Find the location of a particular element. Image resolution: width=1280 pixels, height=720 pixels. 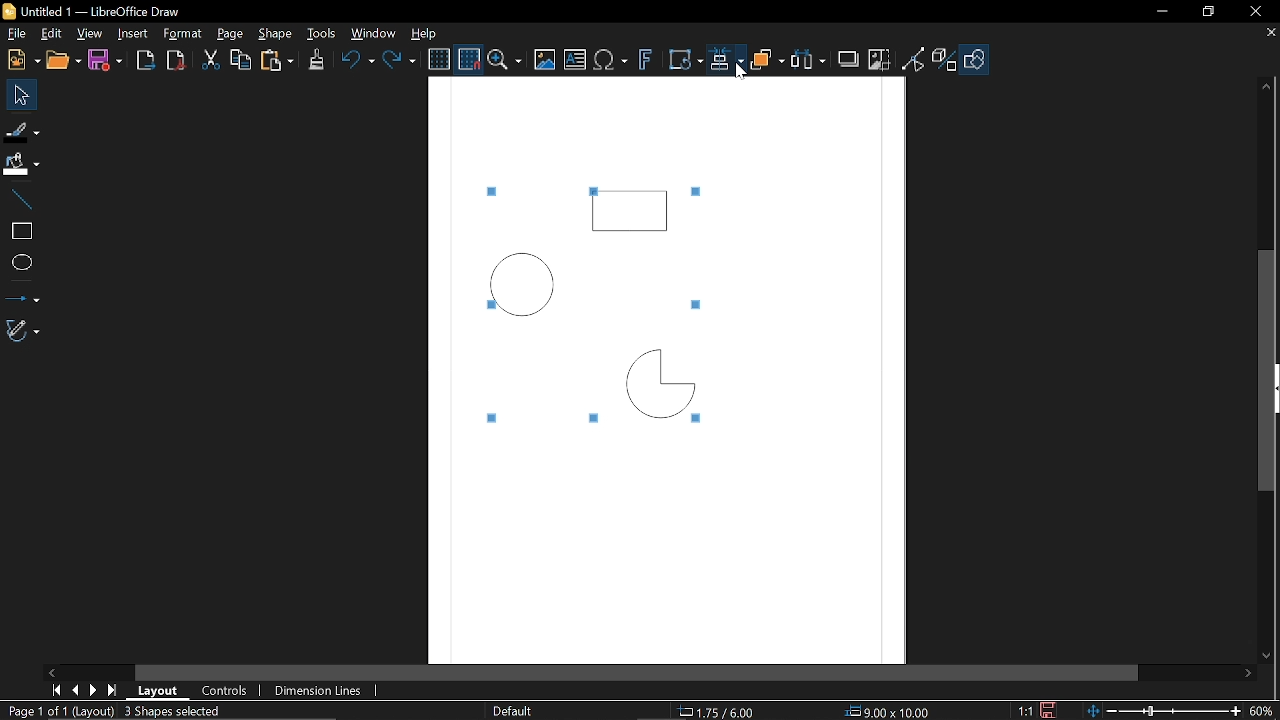

next page is located at coordinates (89, 690).